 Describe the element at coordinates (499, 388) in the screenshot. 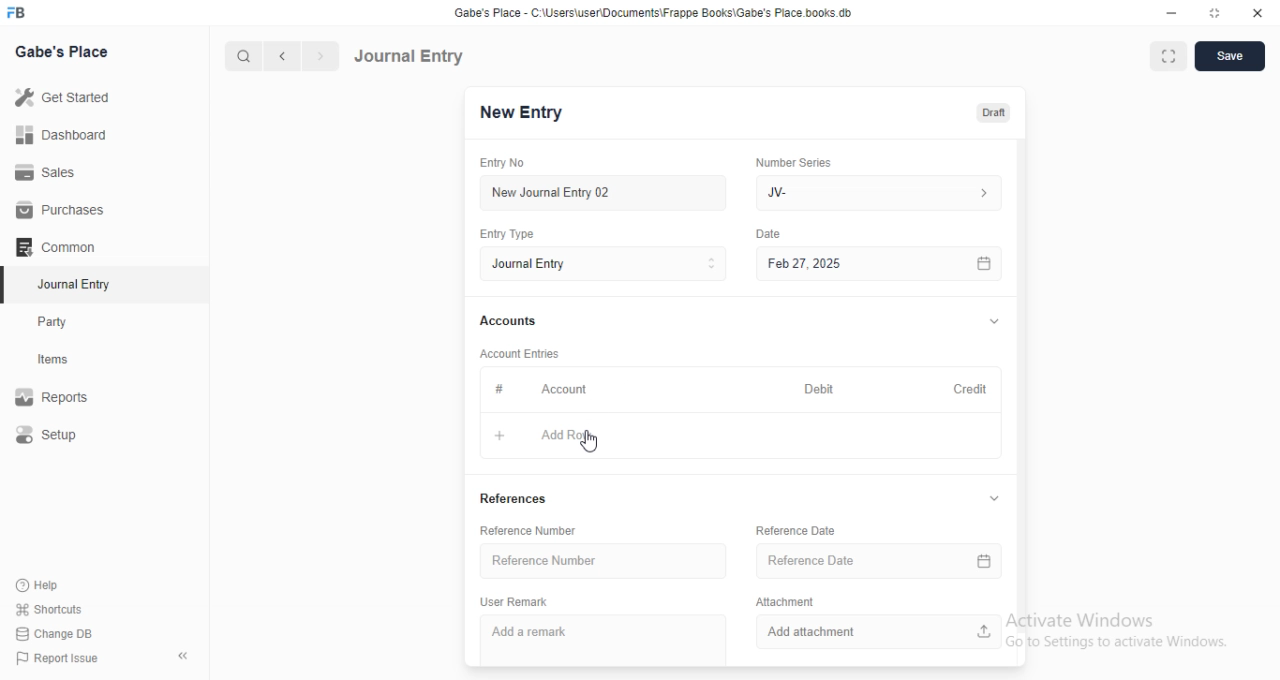

I see `#` at that location.